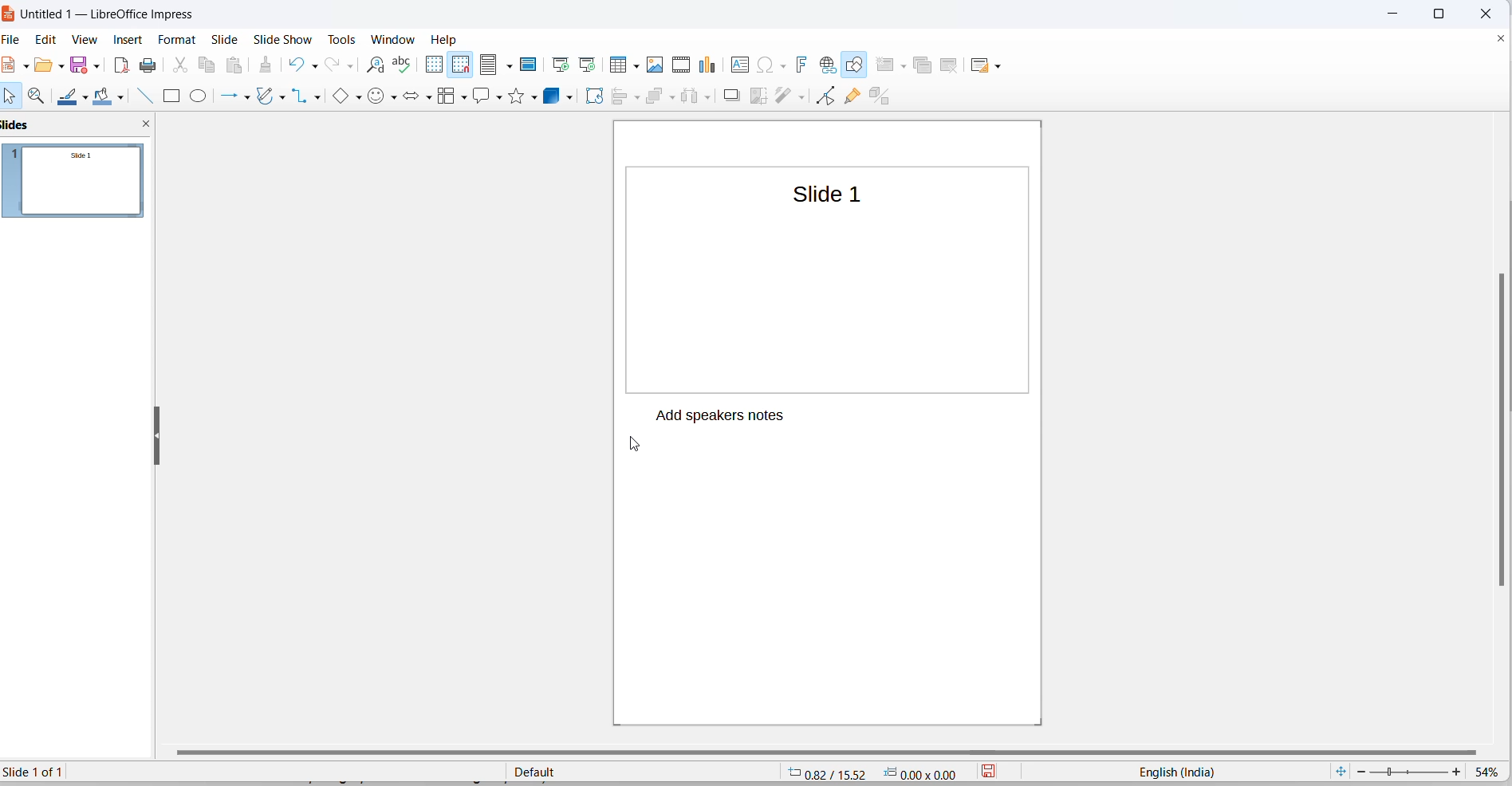  I want to click on slide master type, so click(642, 771).